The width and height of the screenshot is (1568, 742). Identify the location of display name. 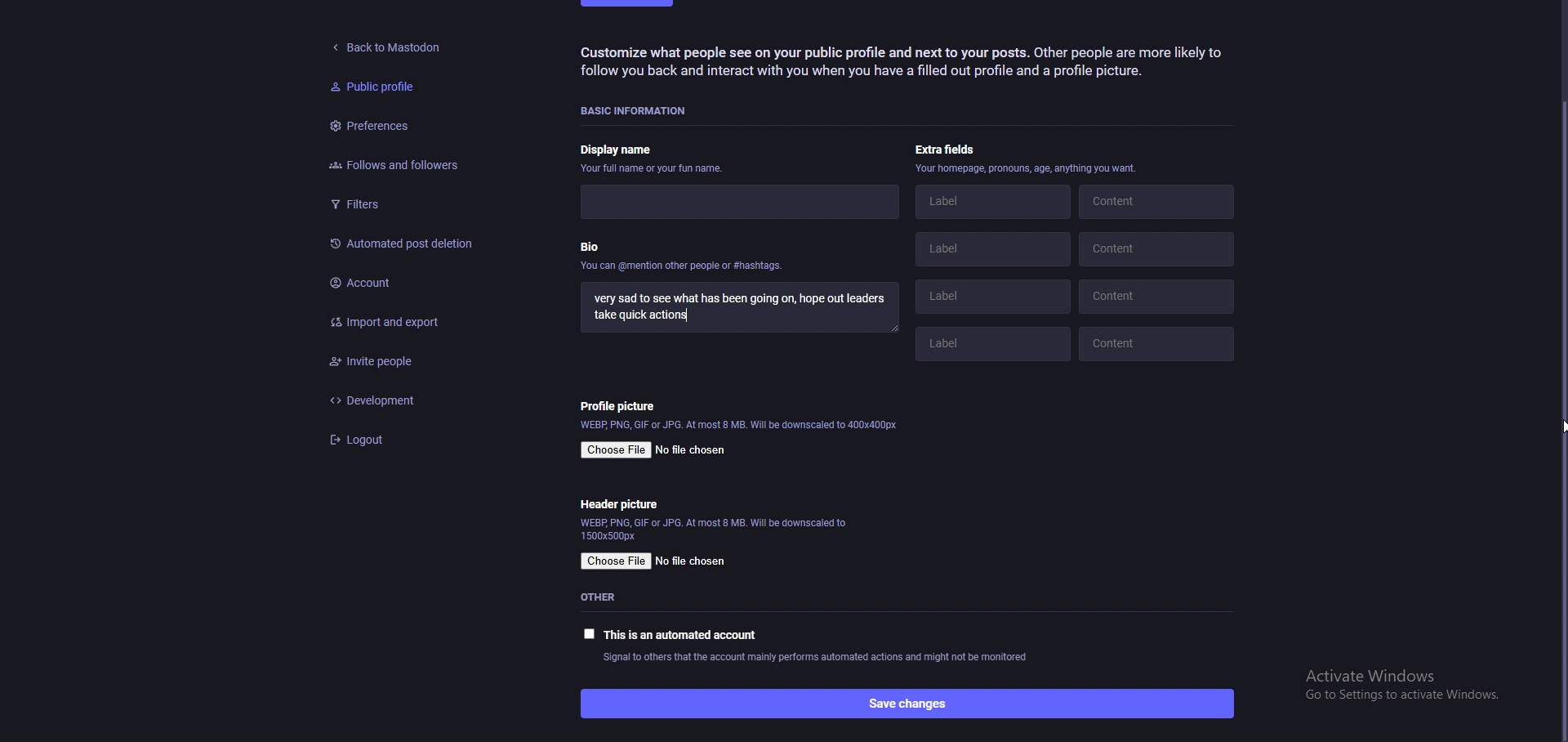
(654, 152).